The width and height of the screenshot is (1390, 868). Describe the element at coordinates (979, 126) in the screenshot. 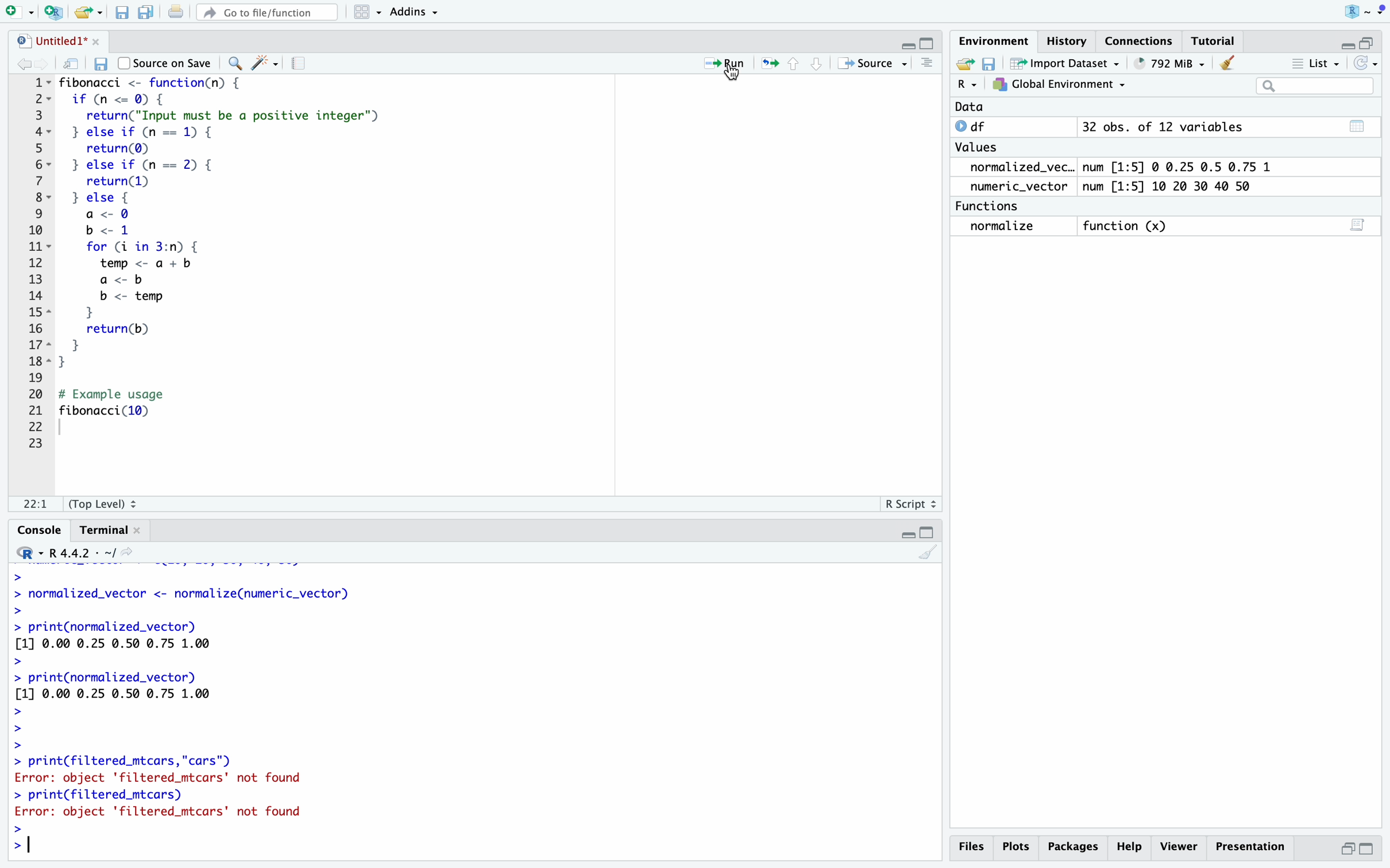

I see `df` at that location.